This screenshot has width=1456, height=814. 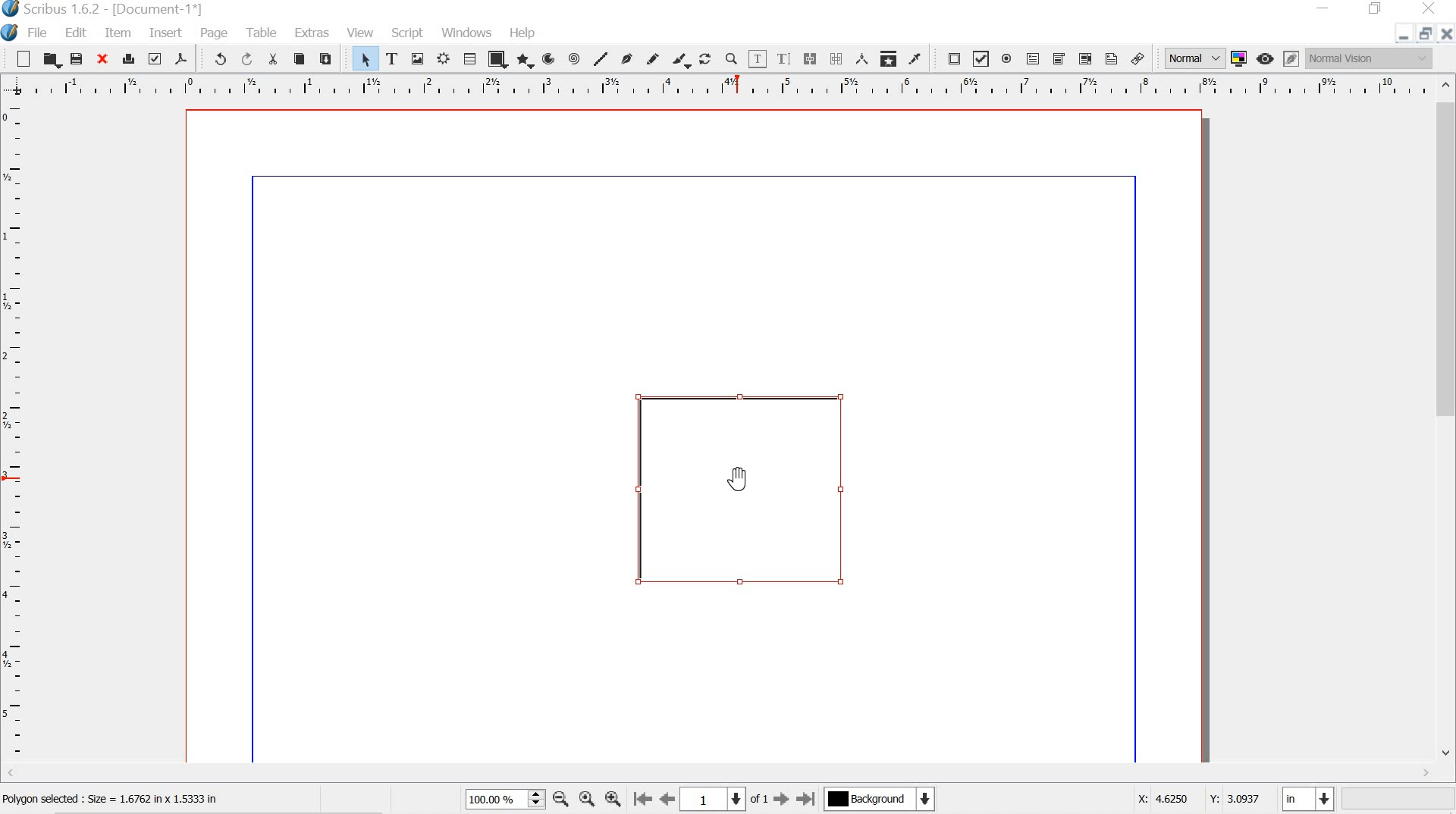 I want to click on pdf text field, so click(x=1032, y=58).